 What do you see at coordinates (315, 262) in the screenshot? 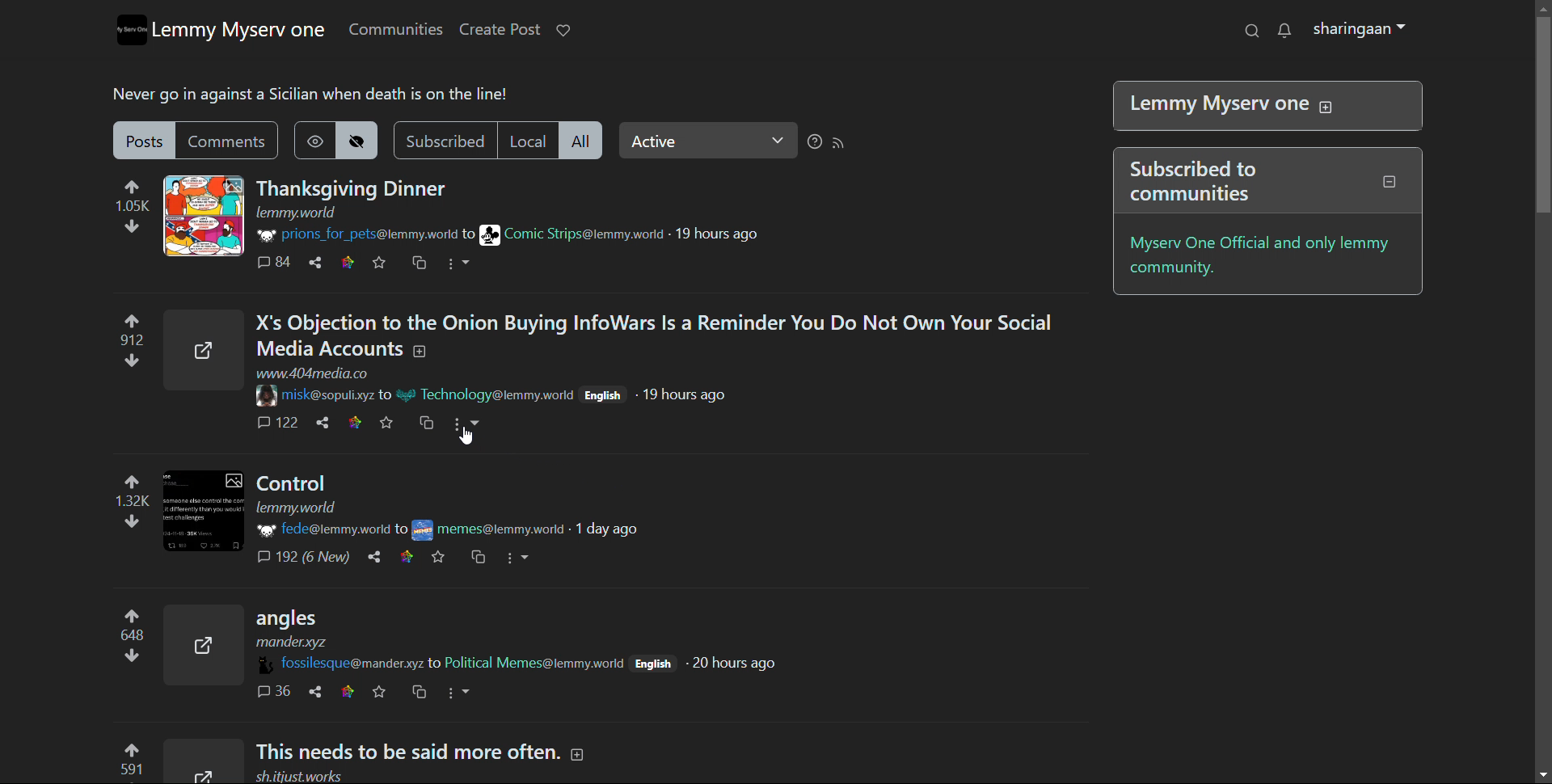
I see `share` at bounding box center [315, 262].